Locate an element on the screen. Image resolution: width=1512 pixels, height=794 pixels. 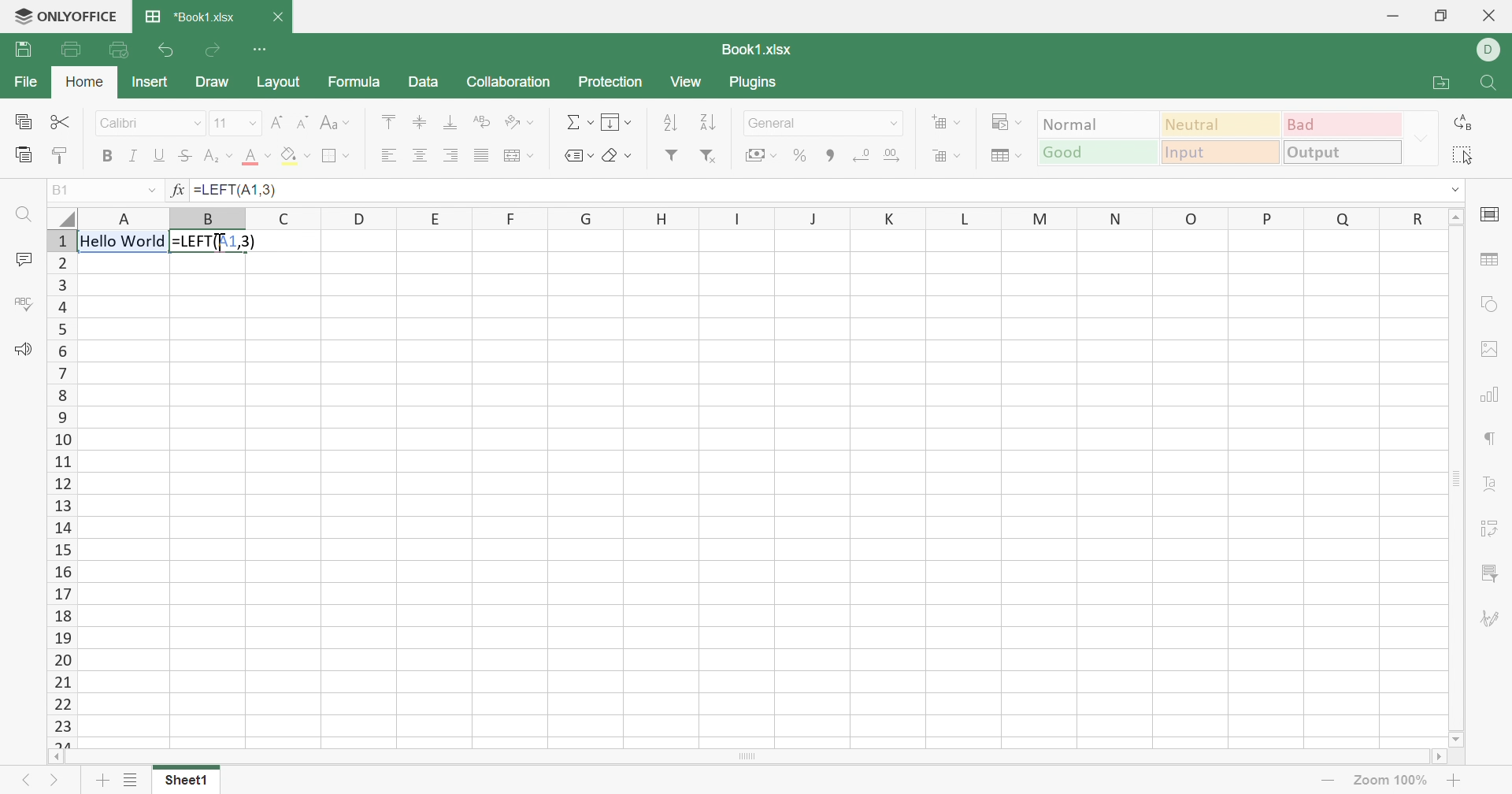
Bold is located at coordinates (108, 155).